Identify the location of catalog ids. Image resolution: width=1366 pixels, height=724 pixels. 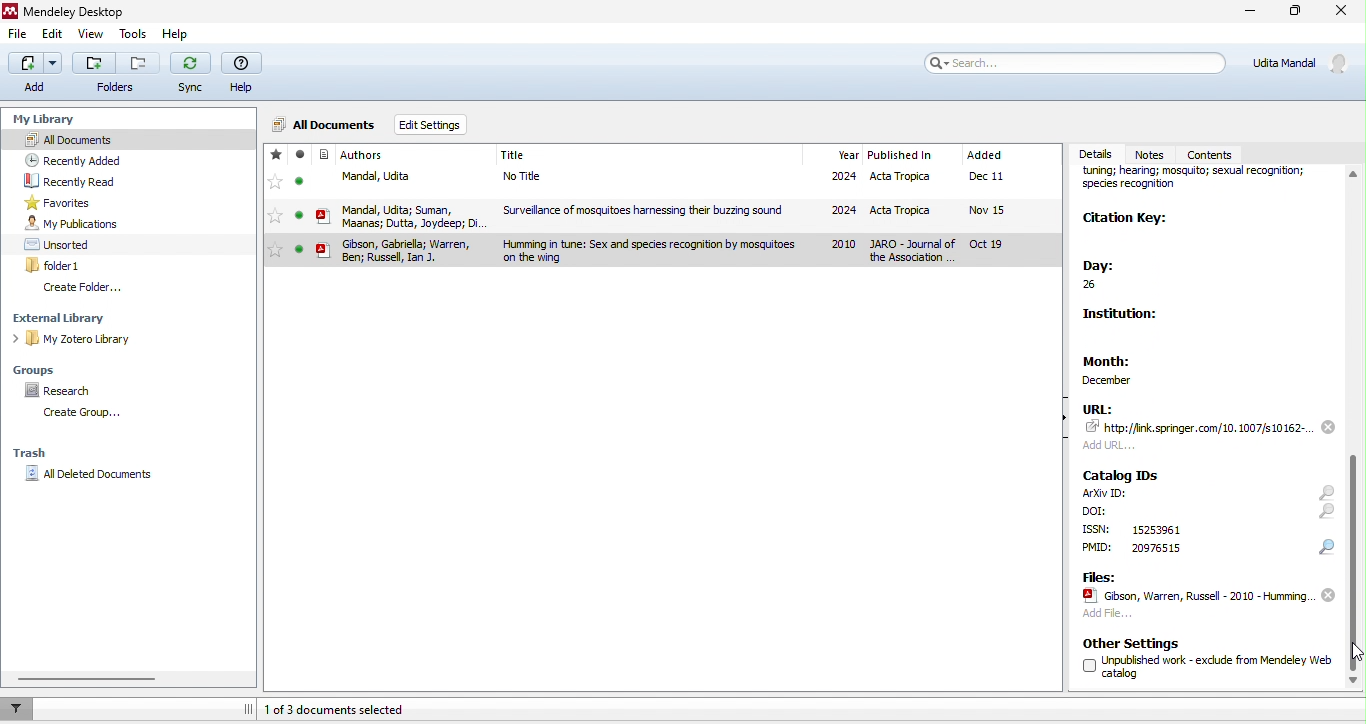
(1122, 475).